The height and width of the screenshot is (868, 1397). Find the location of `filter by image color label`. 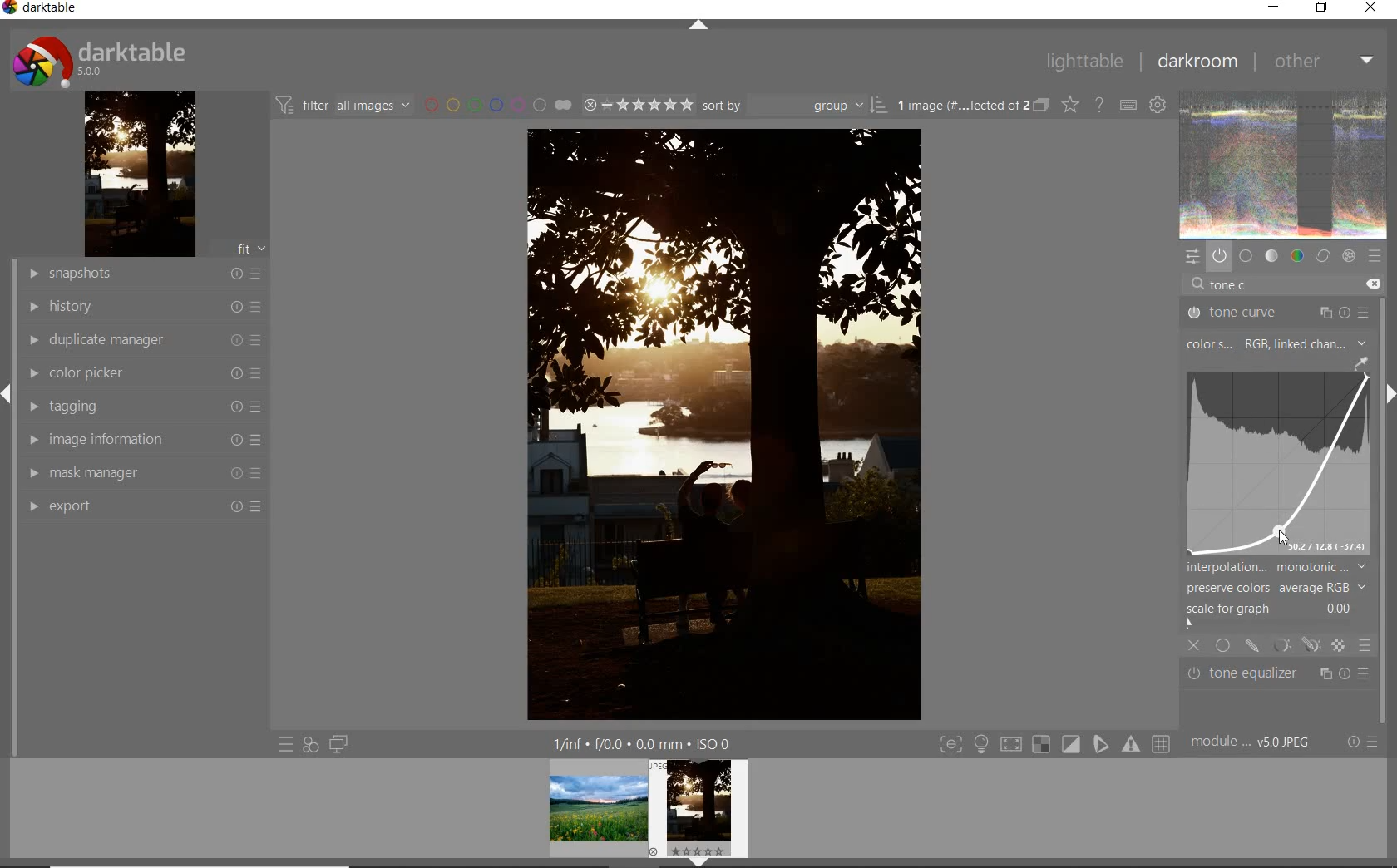

filter by image color label is located at coordinates (500, 104).